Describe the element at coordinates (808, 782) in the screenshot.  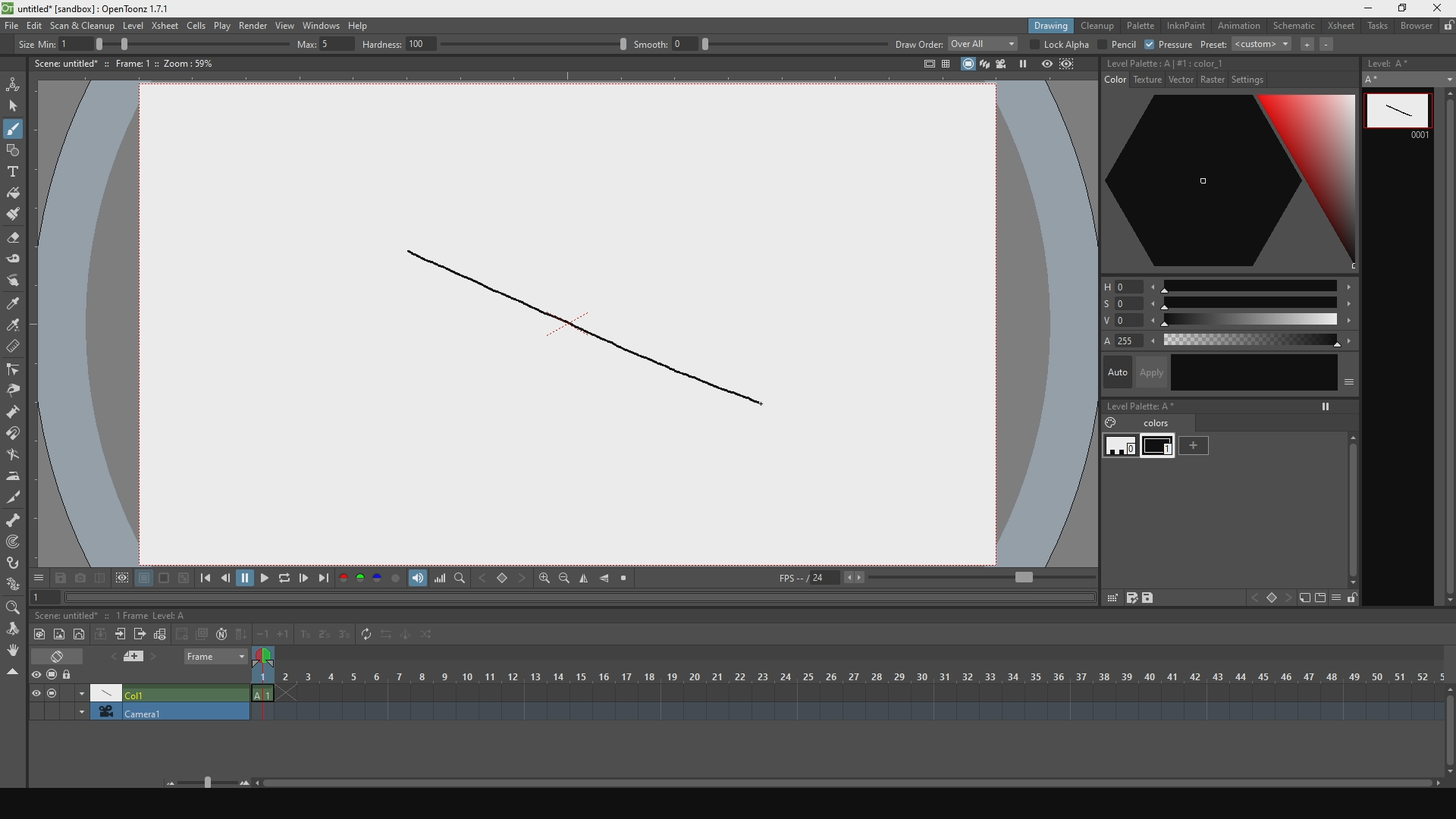
I see `horizontal slider` at that location.